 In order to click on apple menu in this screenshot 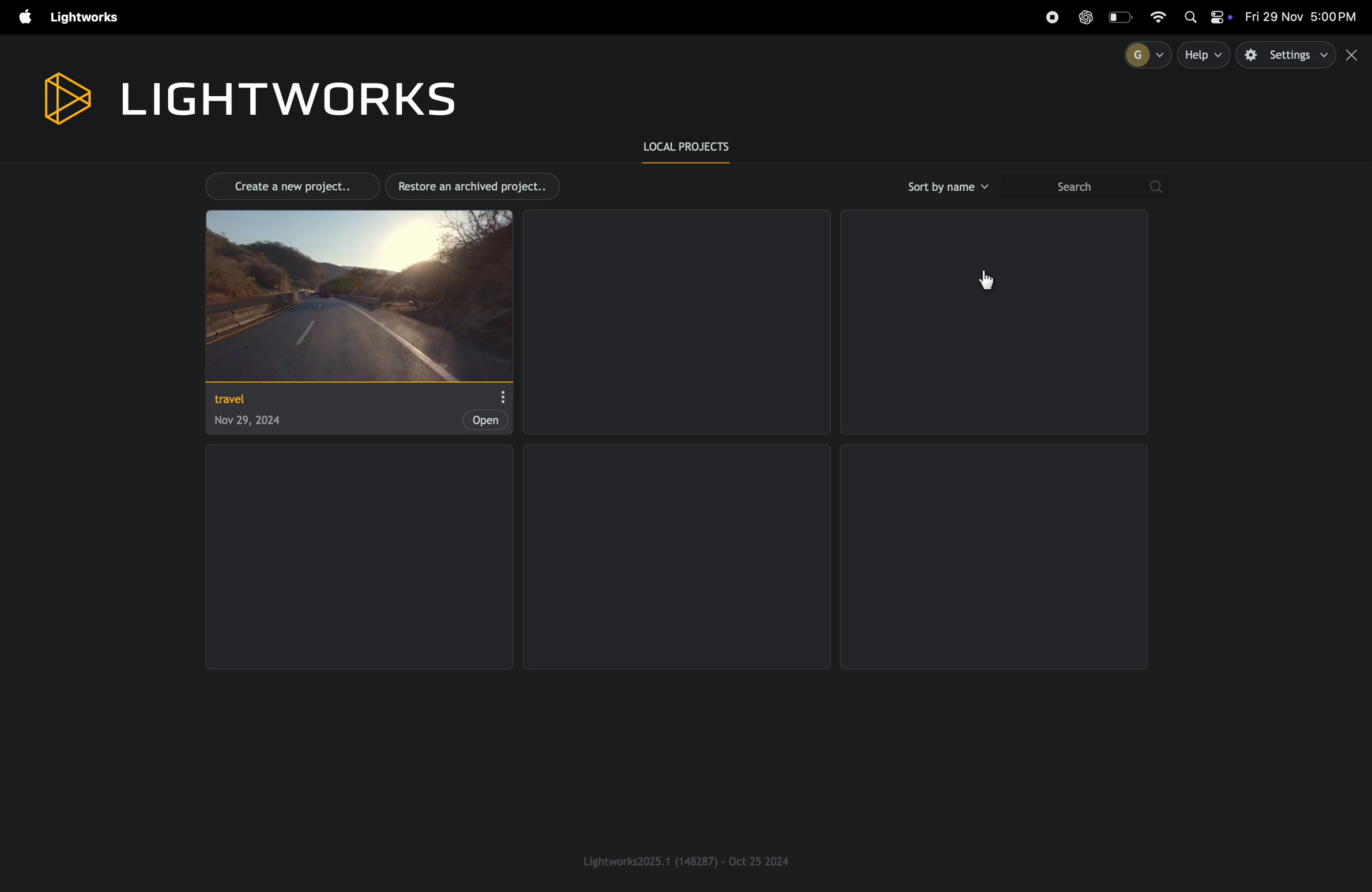, I will do `click(20, 18)`.